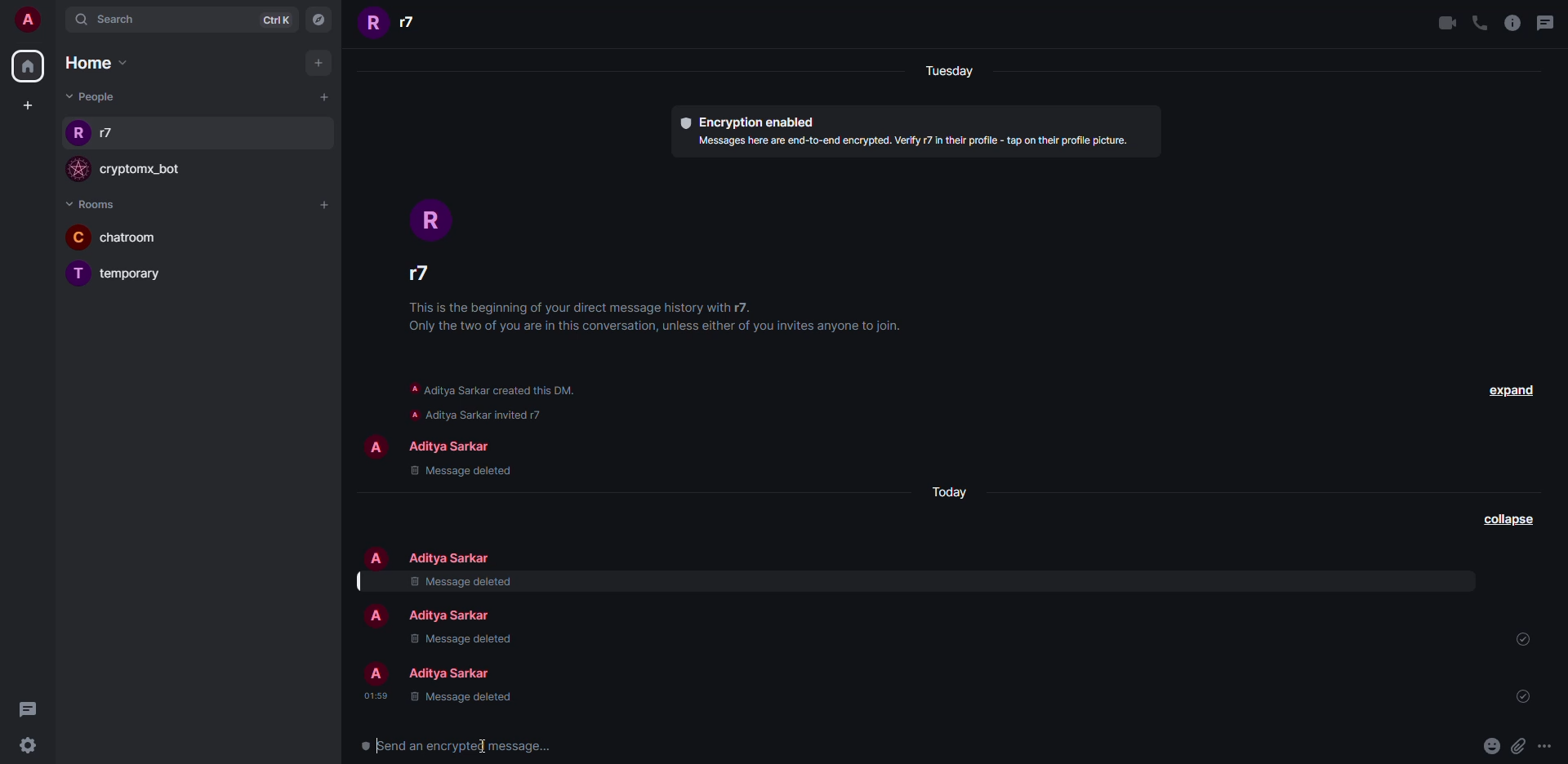  What do you see at coordinates (376, 674) in the screenshot?
I see `profile` at bounding box center [376, 674].